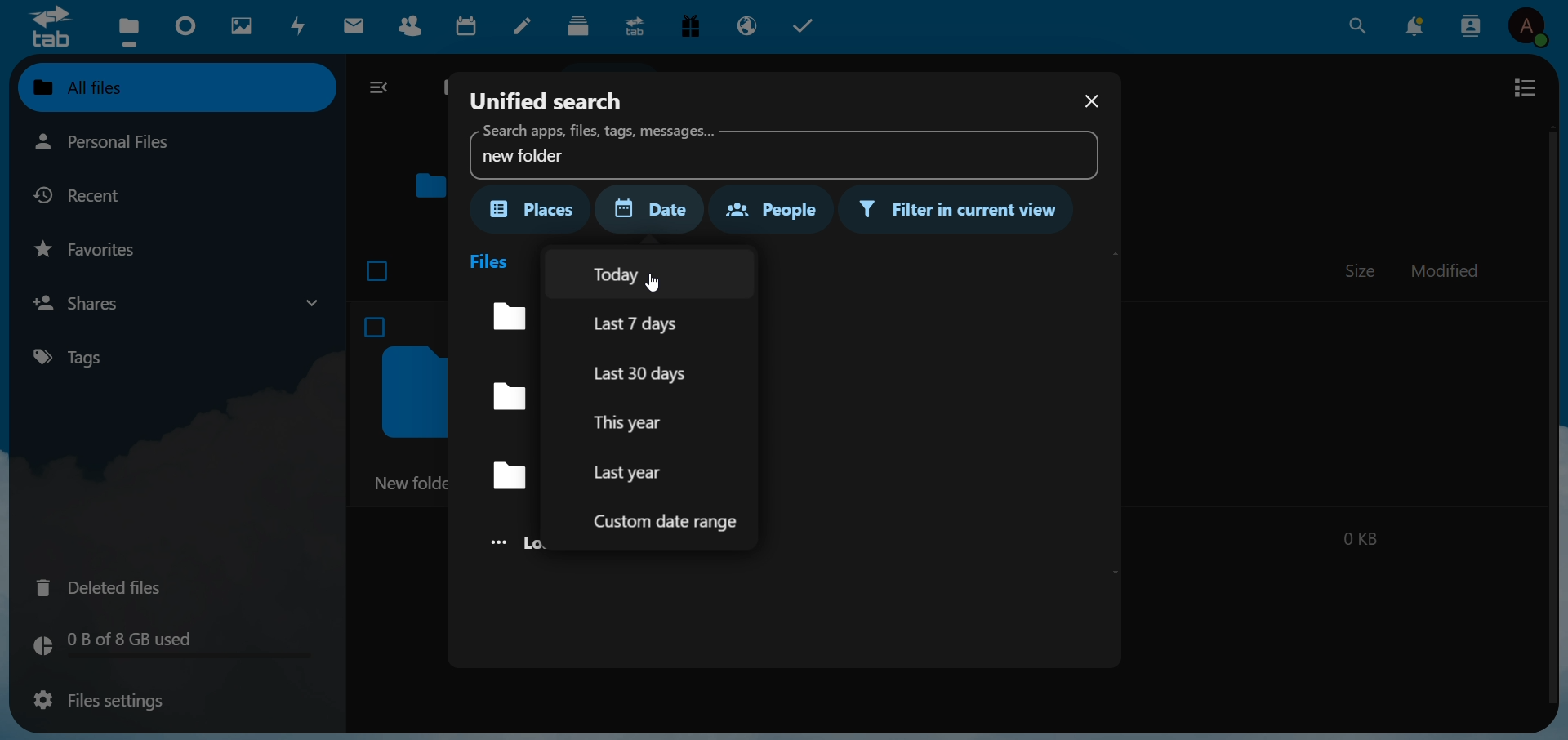 The width and height of the screenshot is (1568, 740). I want to click on collapse, so click(382, 89).